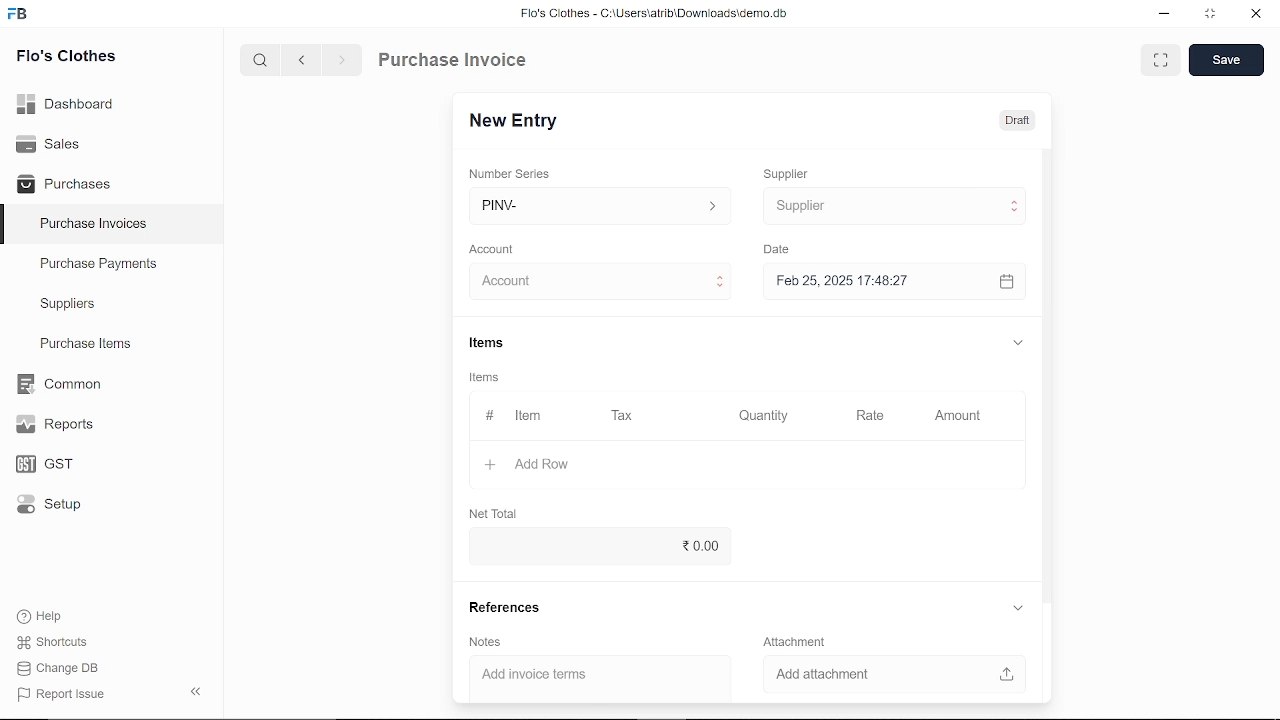 The image size is (1280, 720). Describe the element at coordinates (490, 379) in the screenshot. I see `Items` at that location.